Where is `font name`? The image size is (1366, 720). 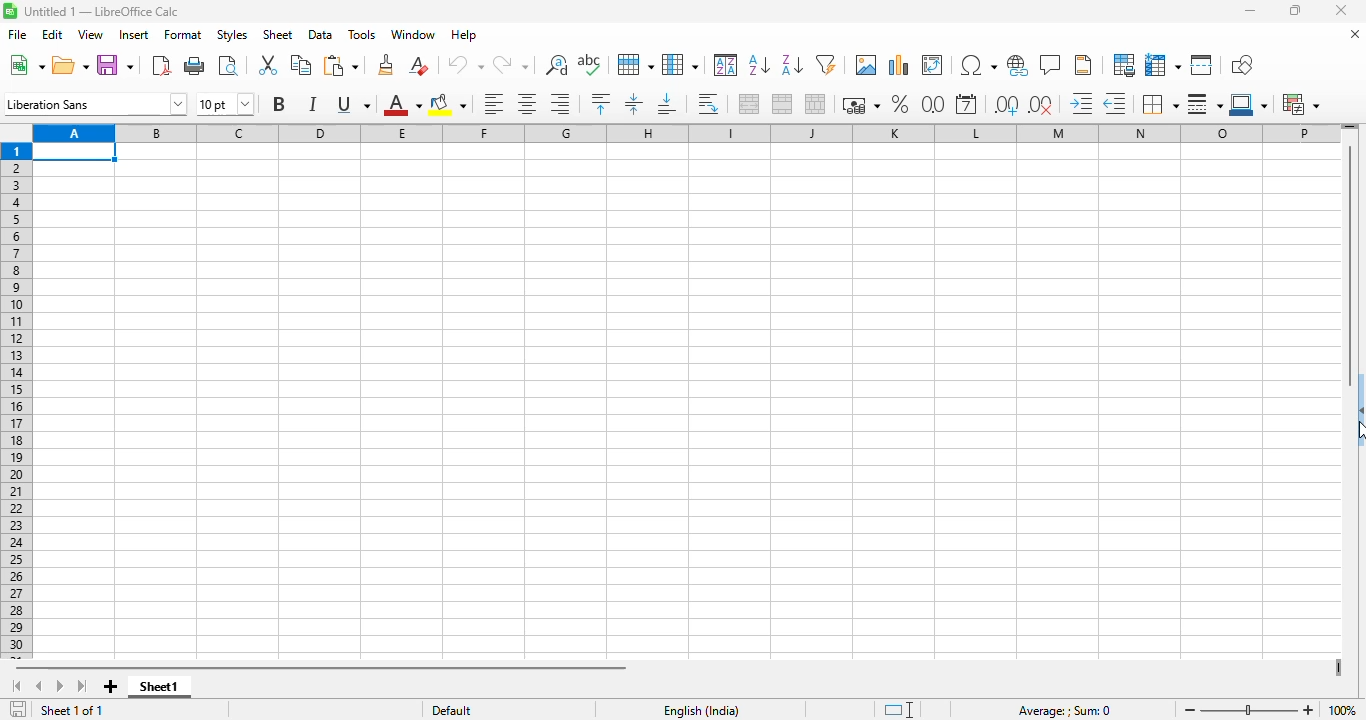 font name is located at coordinates (96, 104).